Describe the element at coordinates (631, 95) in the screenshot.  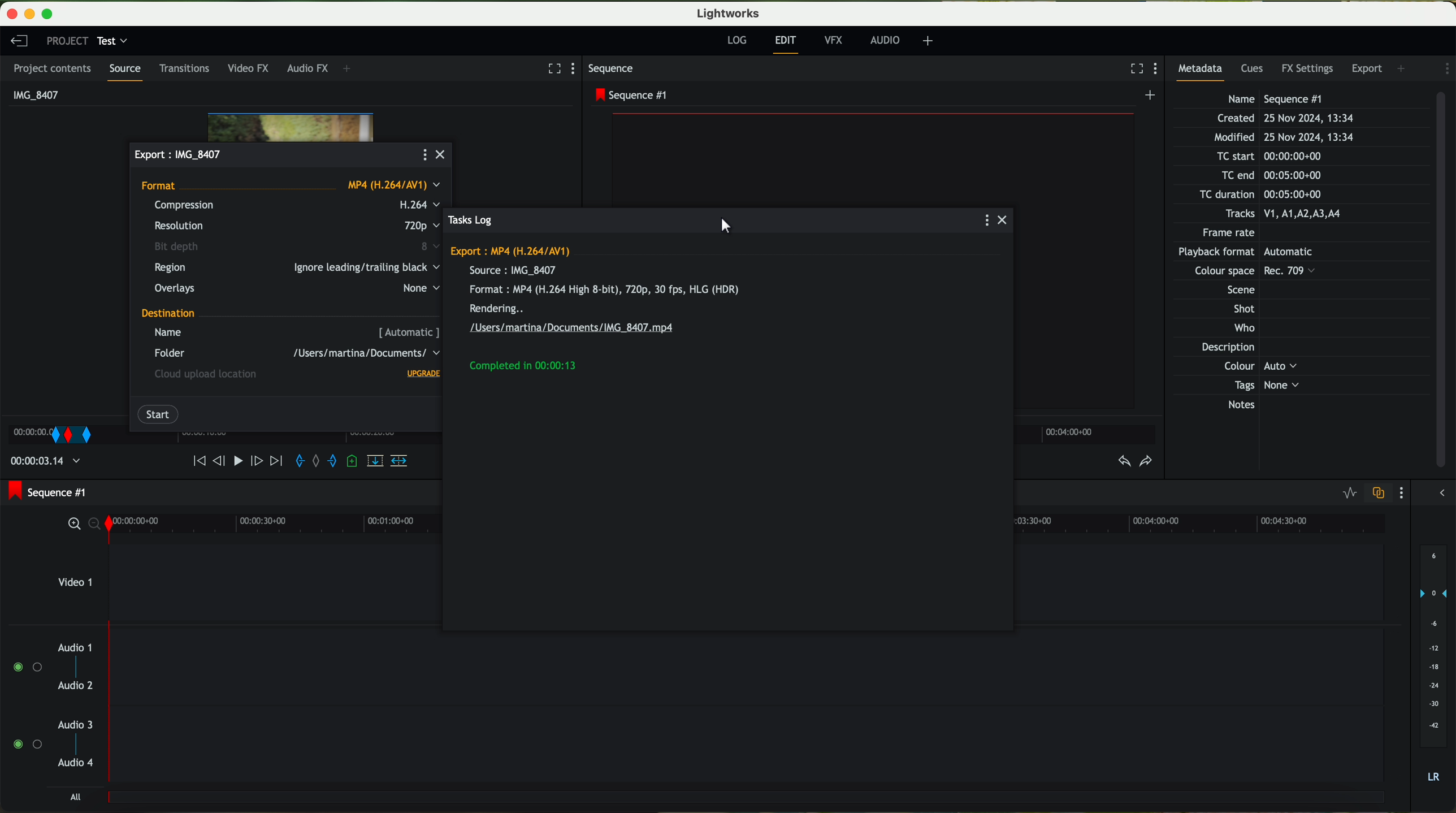
I see `sequence #1` at that location.